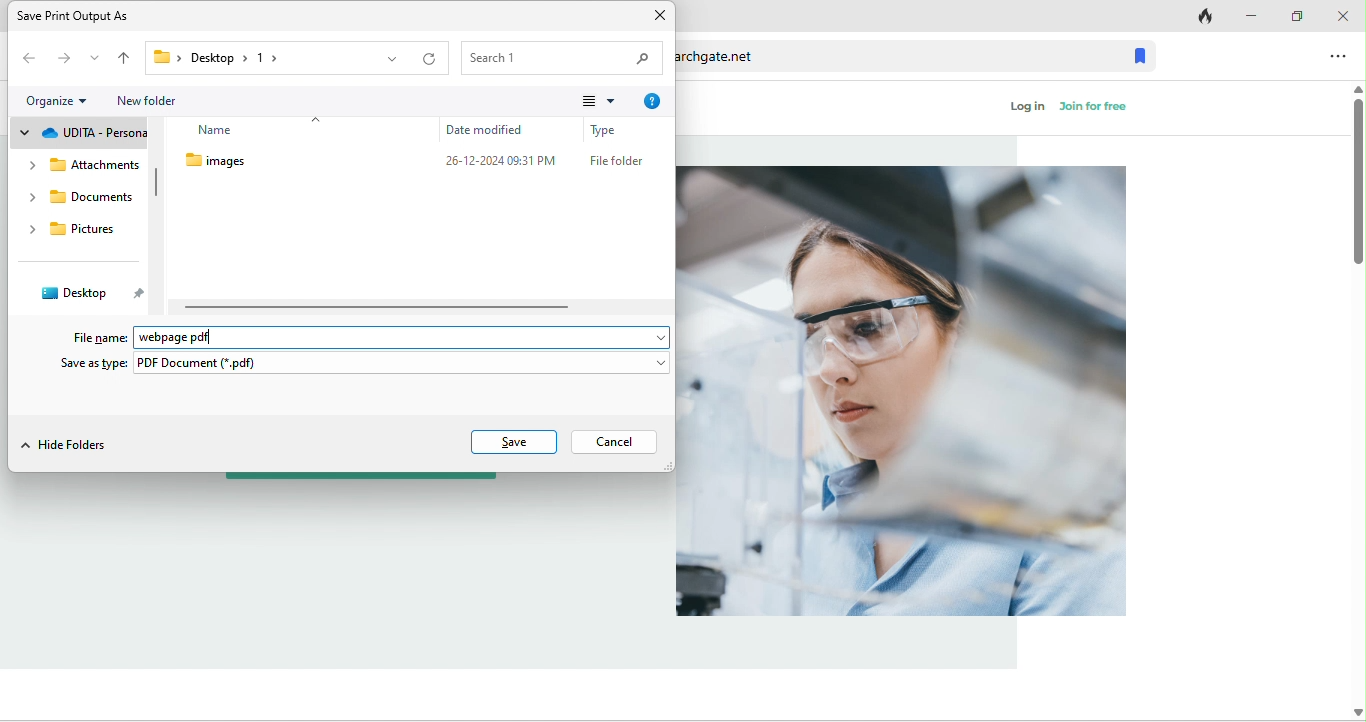 The height and width of the screenshot is (722, 1366). I want to click on cancel, so click(613, 442).